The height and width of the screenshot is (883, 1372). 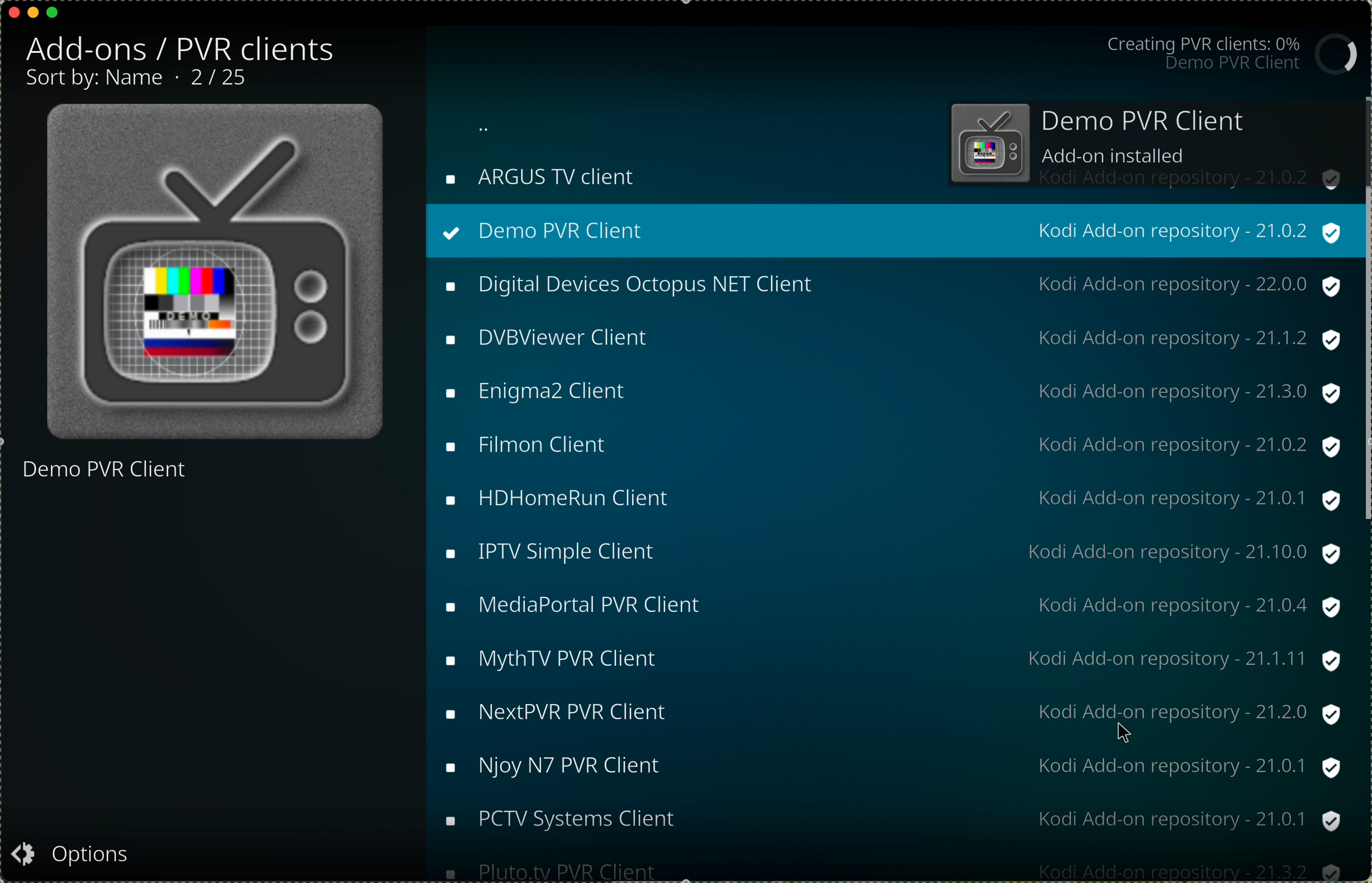 What do you see at coordinates (888, 553) in the screenshot?
I see `` at bounding box center [888, 553].